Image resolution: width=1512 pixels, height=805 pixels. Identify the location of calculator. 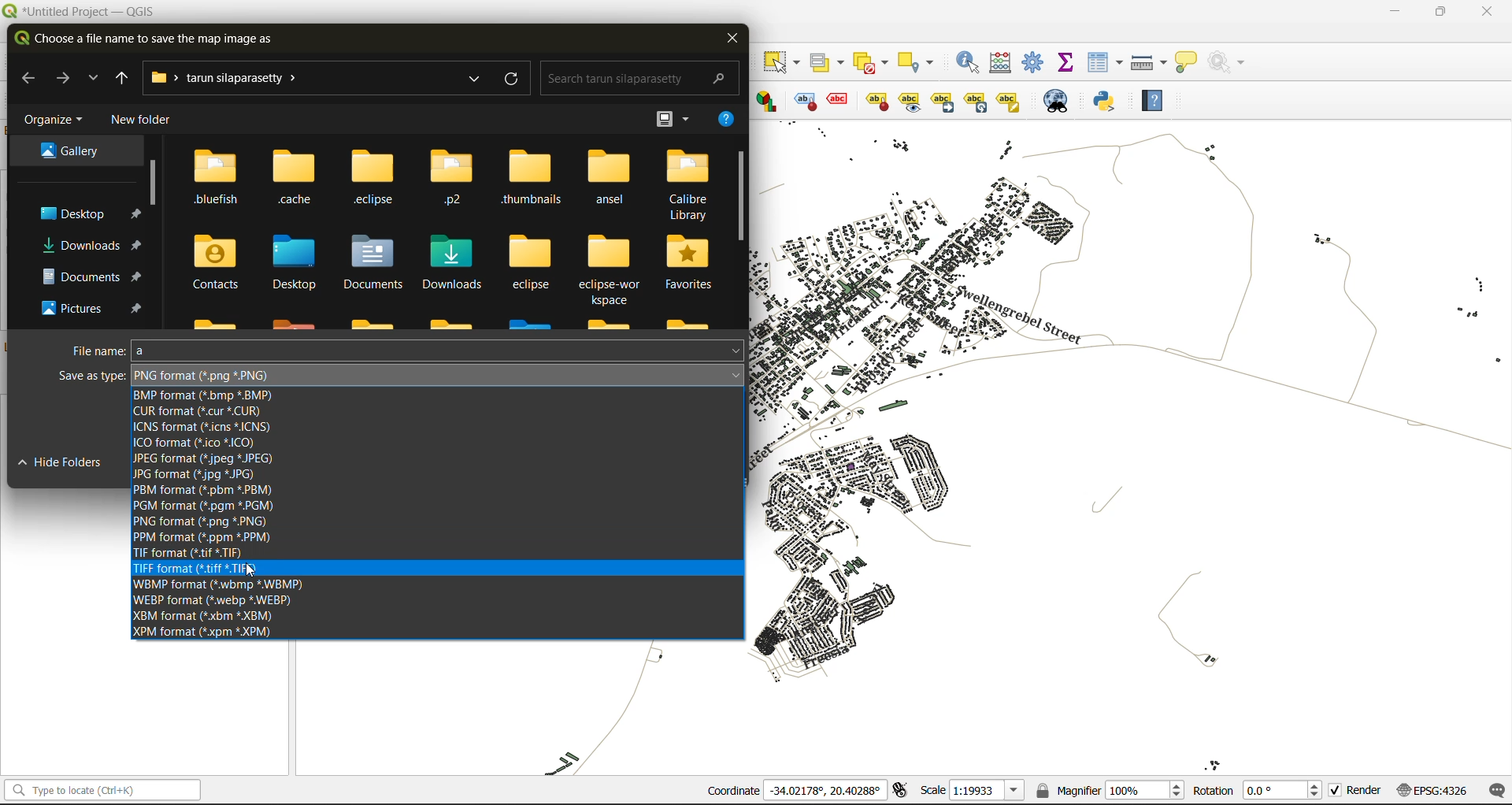
(1003, 63).